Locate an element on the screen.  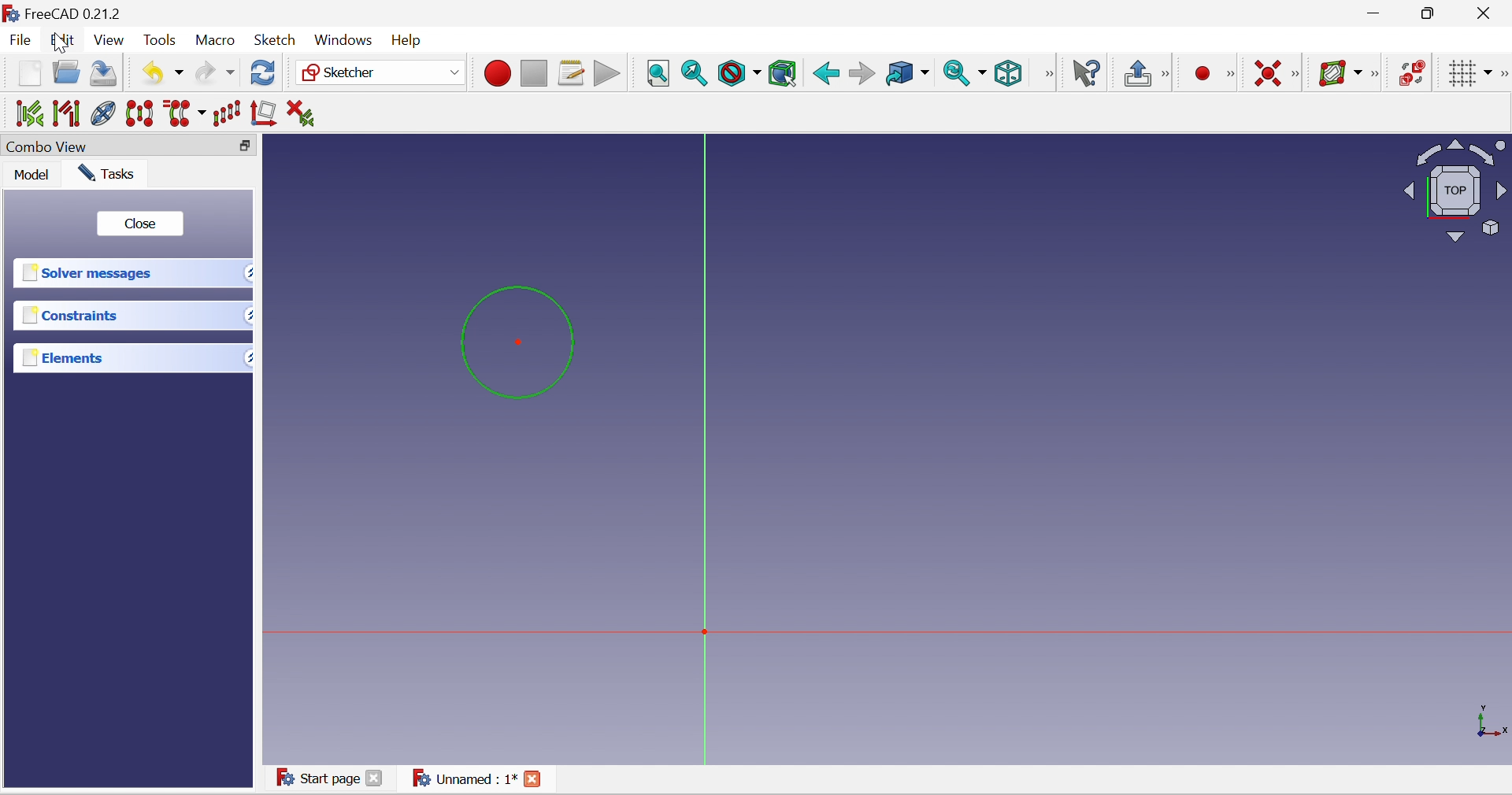
Go to linked object is located at coordinates (905, 75).